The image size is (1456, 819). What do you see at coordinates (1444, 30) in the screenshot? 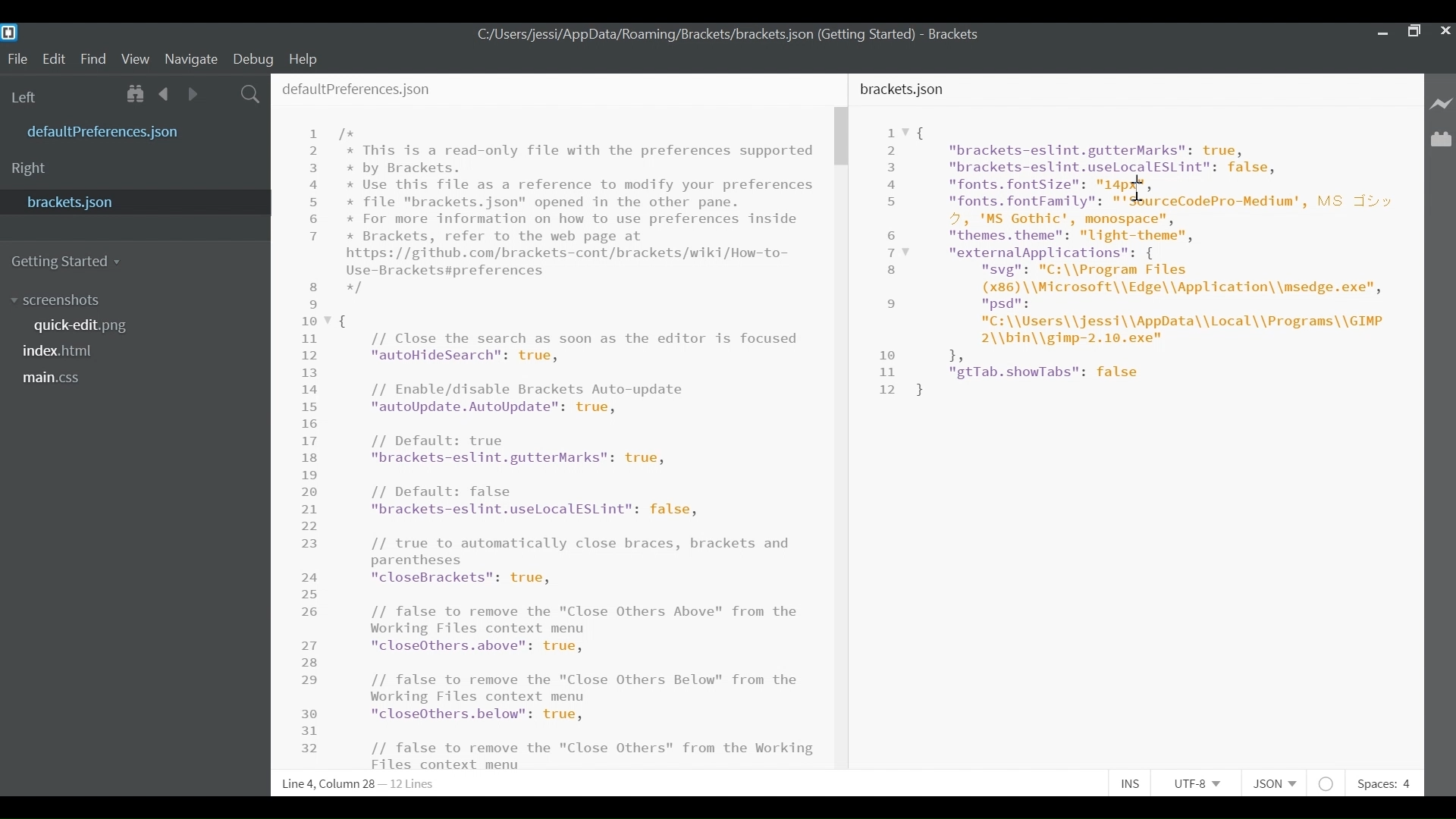
I see `Close` at bounding box center [1444, 30].